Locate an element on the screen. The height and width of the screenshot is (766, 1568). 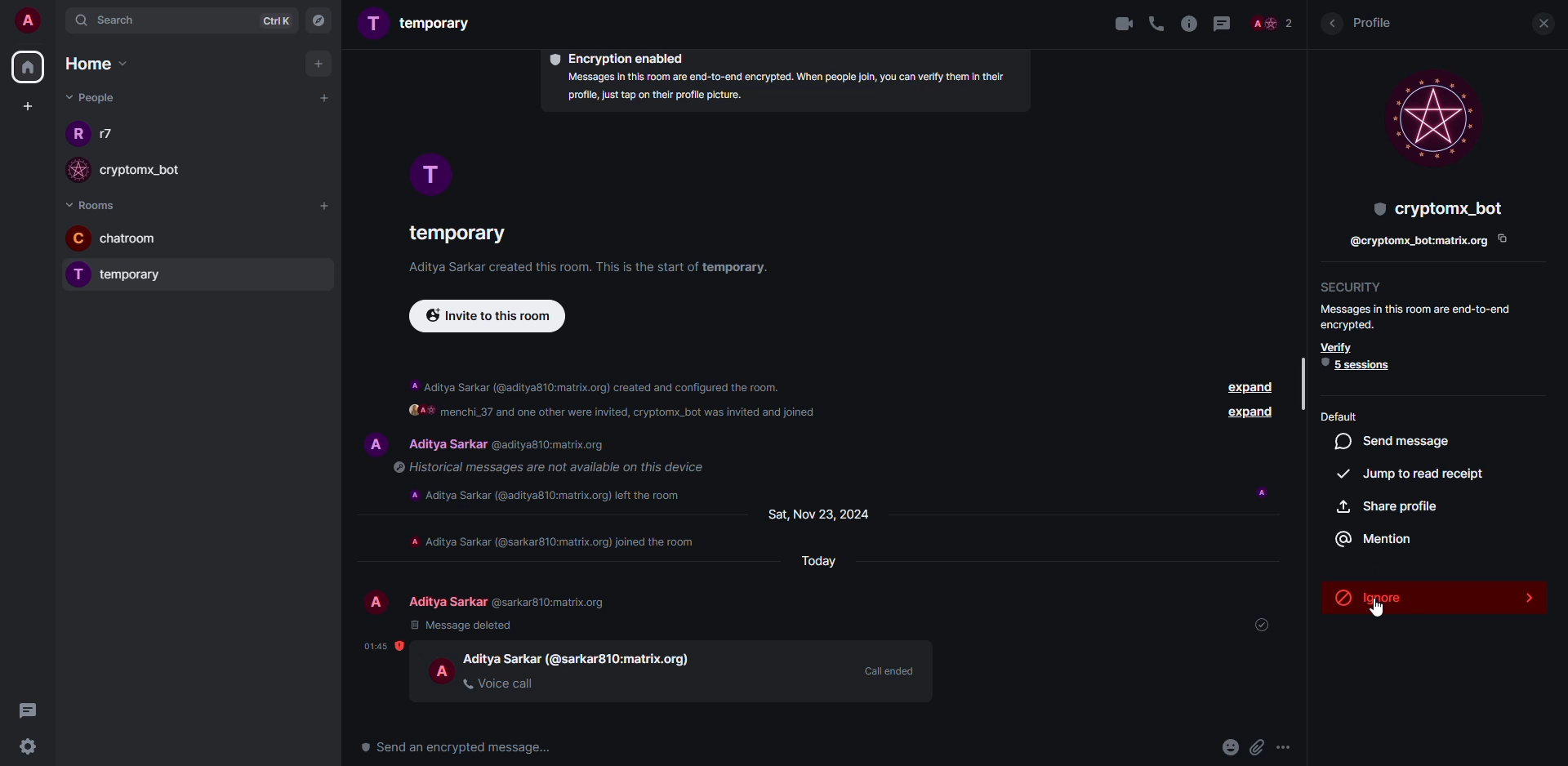
people is located at coordinates (154, 175).